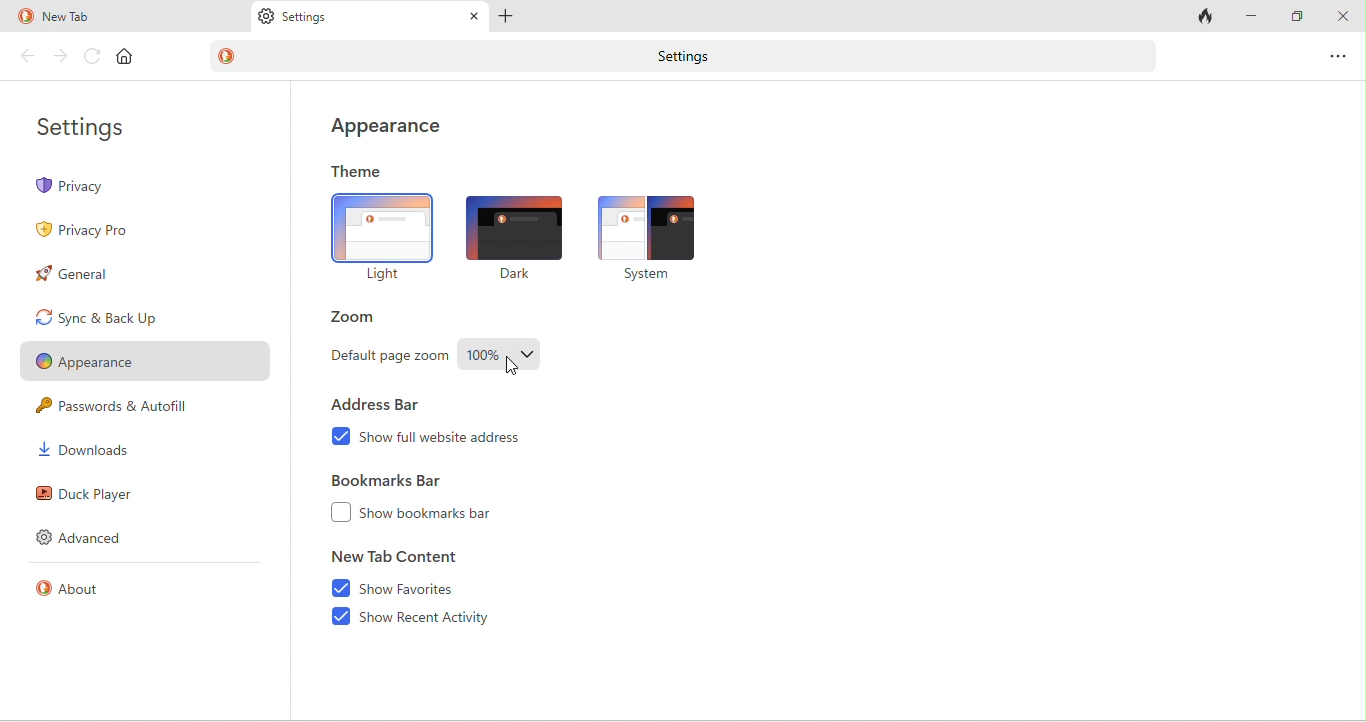 The width and height of the screenshot is (1366, 722). I want to click on dark, so click(512, 277).